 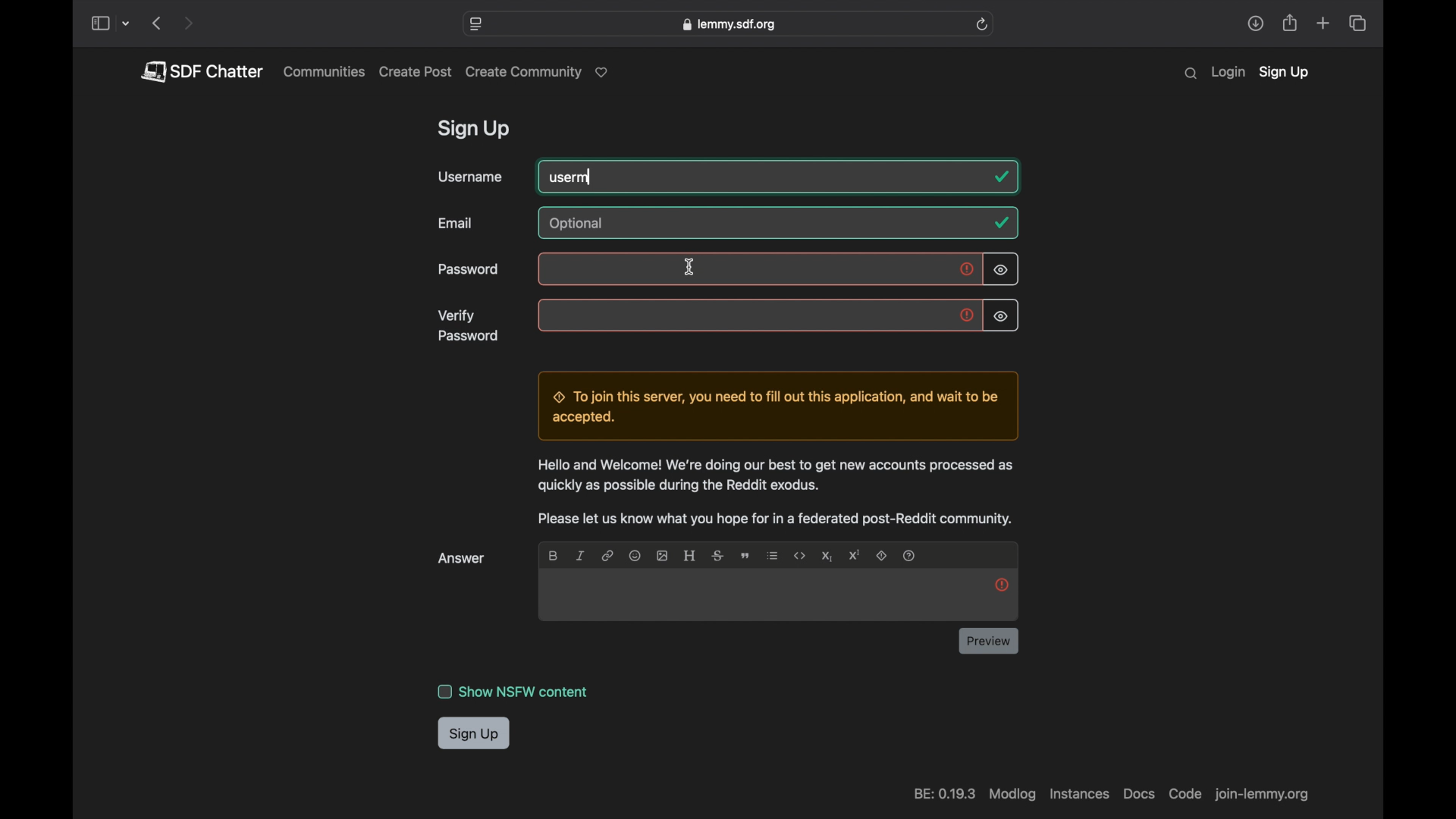 What do you see at coordinates (827, 557) in the screenshot?
I see `subscript` at bounding box center [827, 557].